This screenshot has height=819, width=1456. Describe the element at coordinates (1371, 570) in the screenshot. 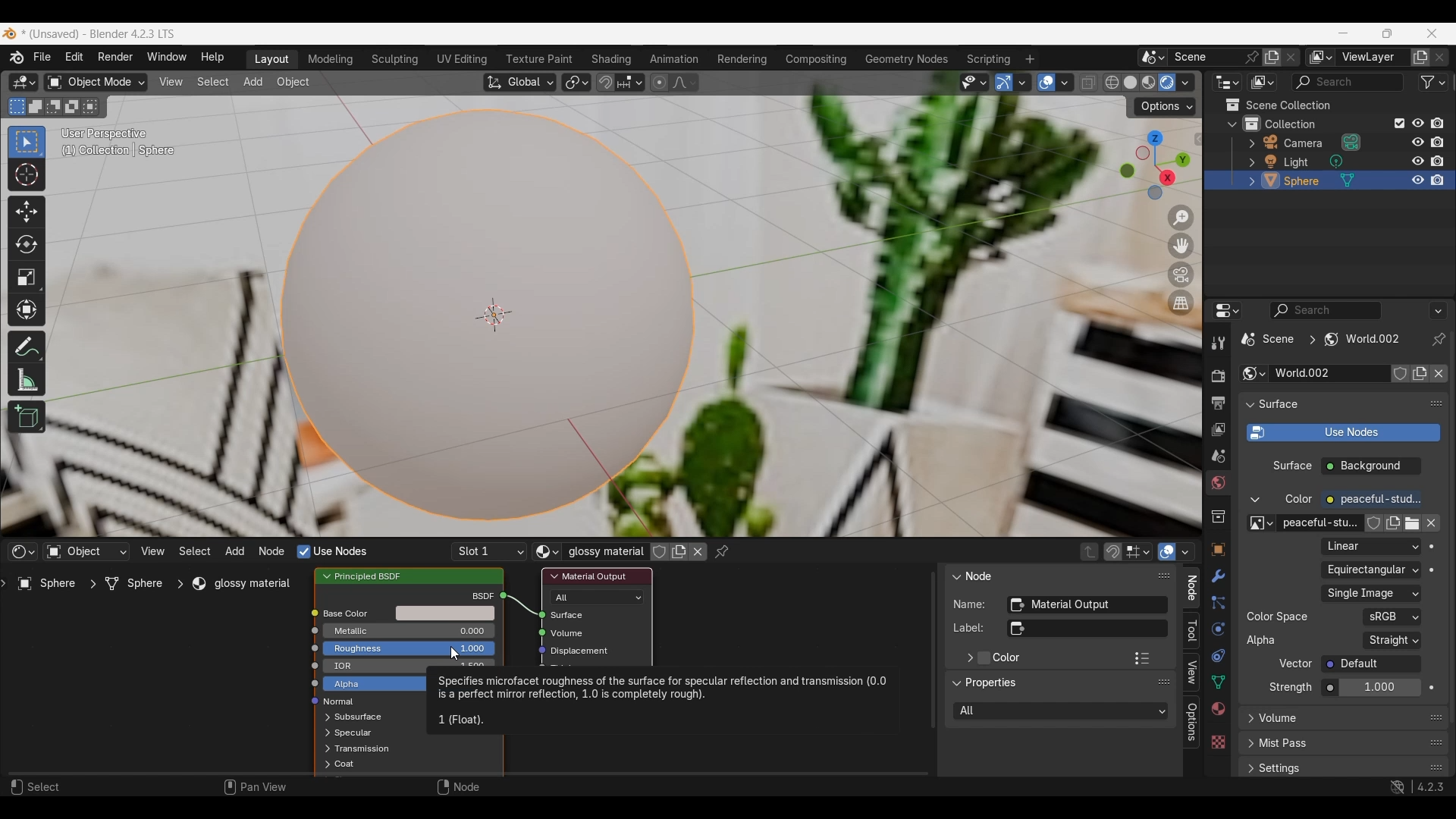

I see `Projection of the input image` at that location.